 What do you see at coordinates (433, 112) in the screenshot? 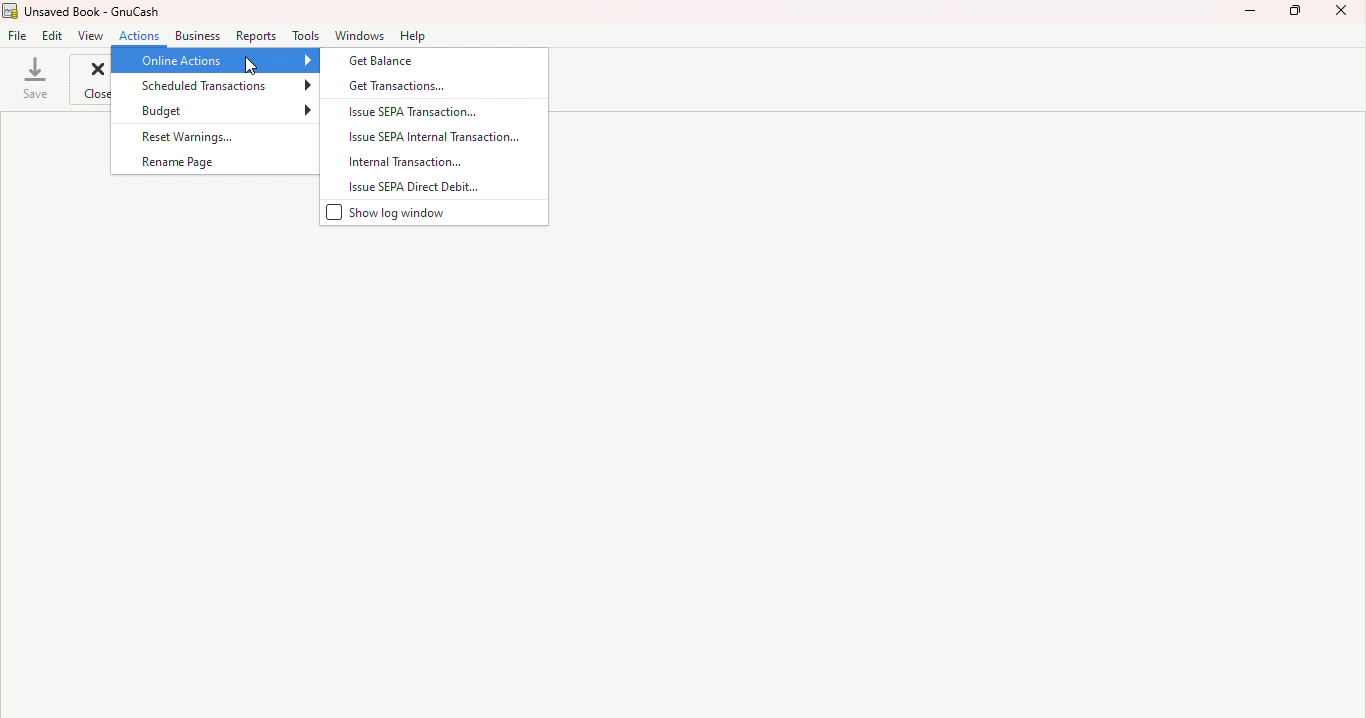
I see `Issue SEPA Transaction` at bounding box center [433, 112].